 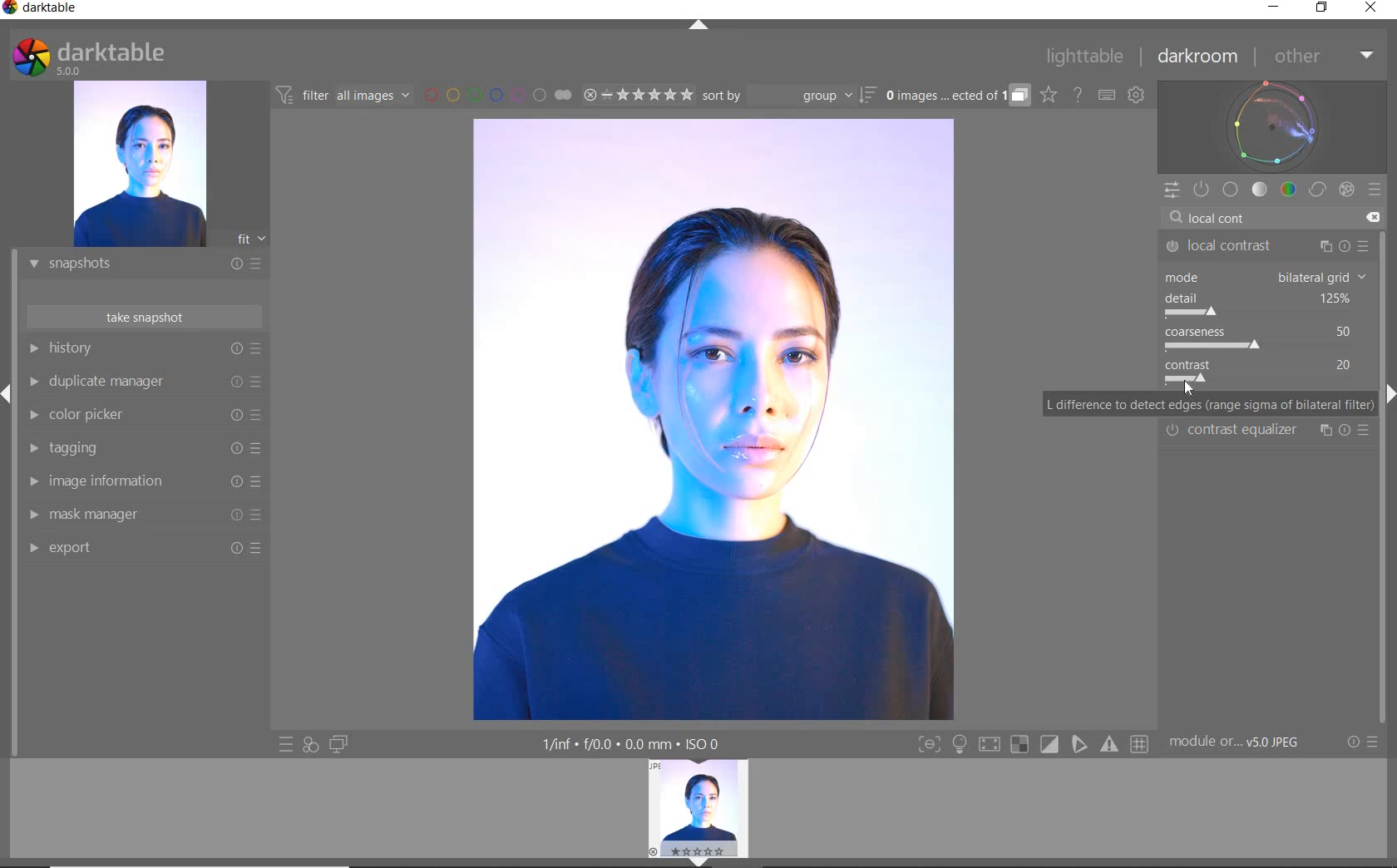 I want to click on Expand/Collapse, so click(x=8, y=394).